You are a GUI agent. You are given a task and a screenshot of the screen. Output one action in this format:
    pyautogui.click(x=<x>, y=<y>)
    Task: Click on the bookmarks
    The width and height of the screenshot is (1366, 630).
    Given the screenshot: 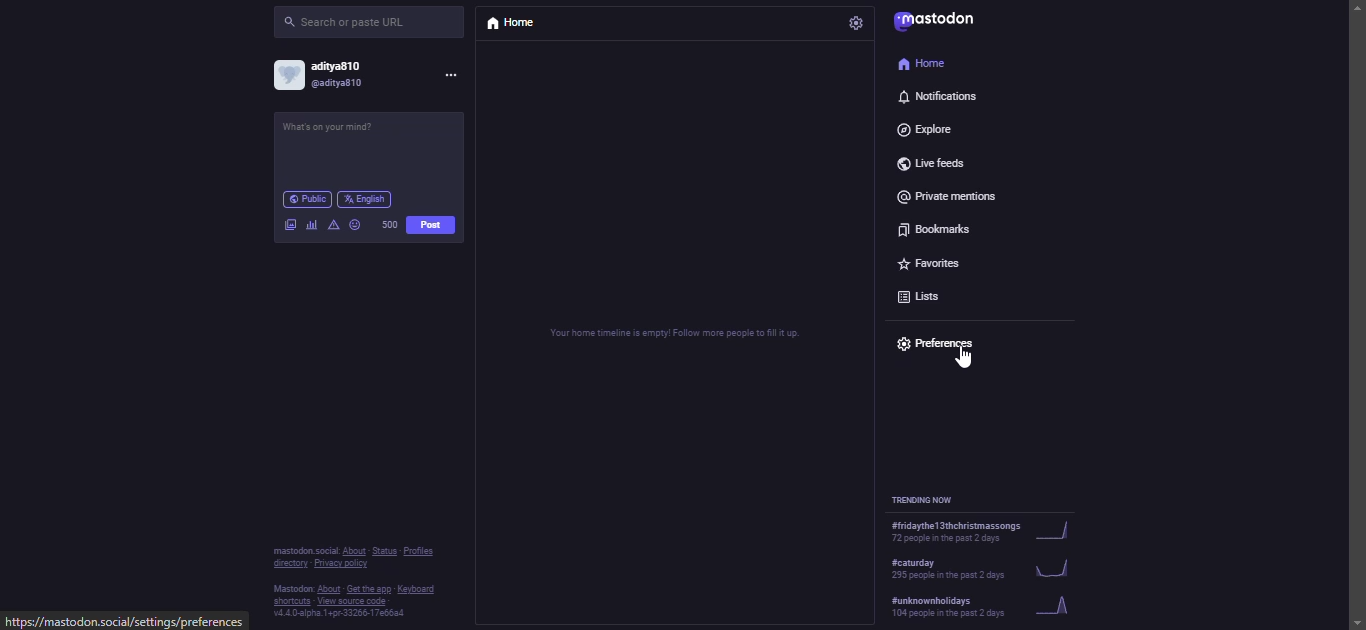 What is the action you would take?
    pyautogui.click(x=943, y=228)
    